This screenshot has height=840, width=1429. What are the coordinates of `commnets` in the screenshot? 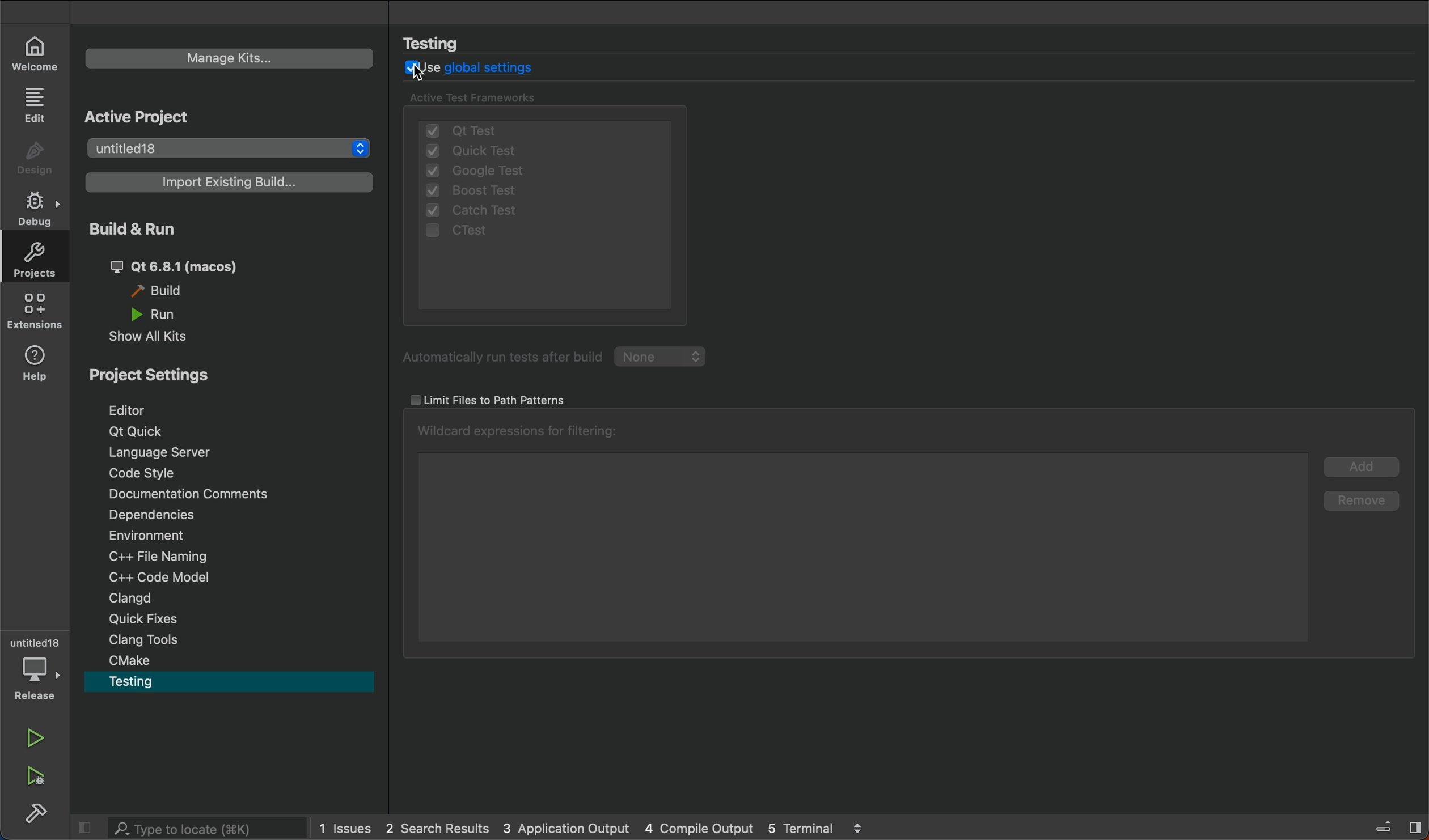 It's located at (230, 498).